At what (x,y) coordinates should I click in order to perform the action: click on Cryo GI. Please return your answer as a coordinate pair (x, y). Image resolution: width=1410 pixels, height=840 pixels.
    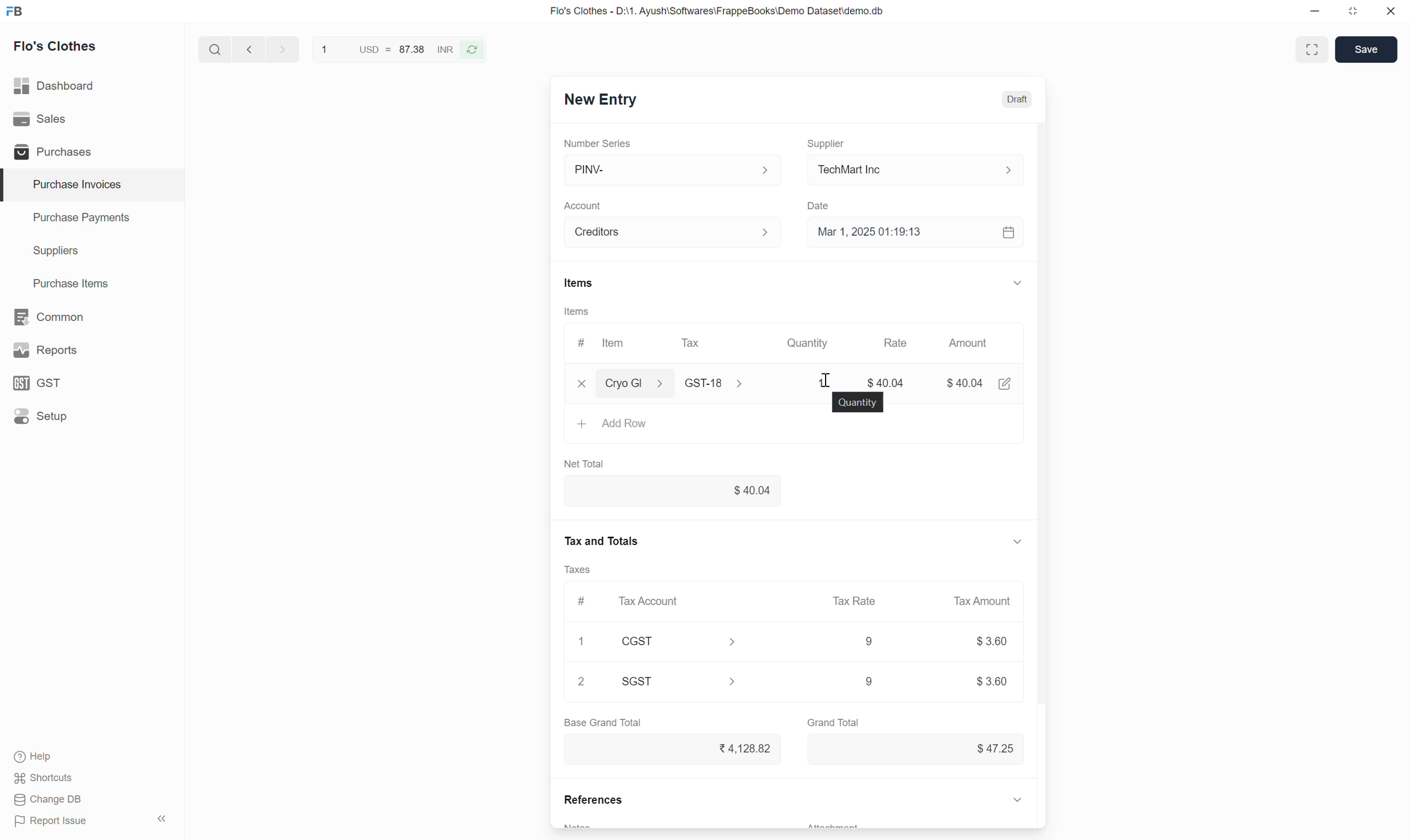
    Looking at the image, I should click on (634, 382).